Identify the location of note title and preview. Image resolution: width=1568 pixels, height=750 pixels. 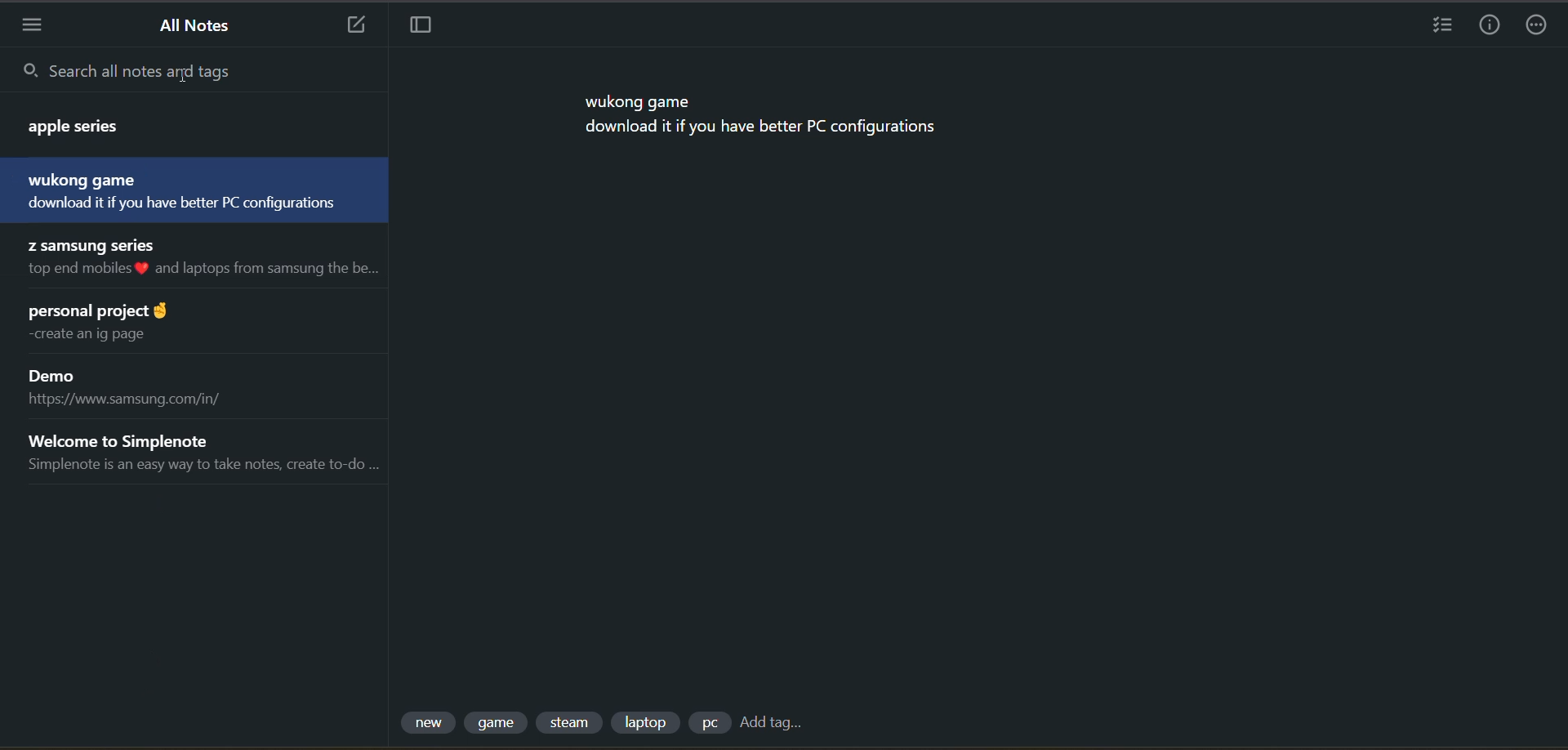
(191, 191).